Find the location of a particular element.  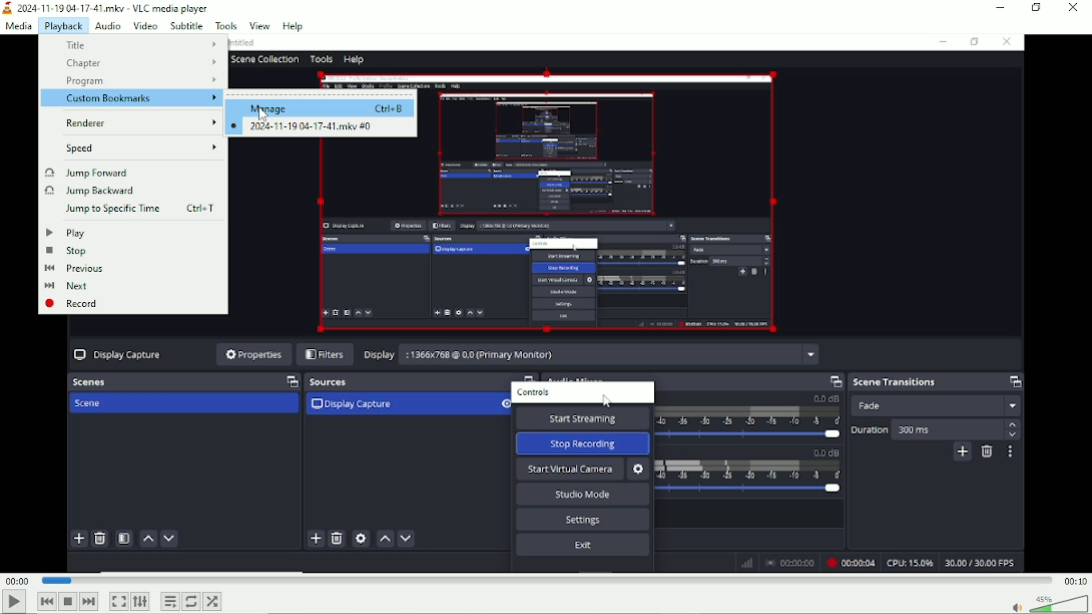

Jump forward is located at coordinates (89, 172).